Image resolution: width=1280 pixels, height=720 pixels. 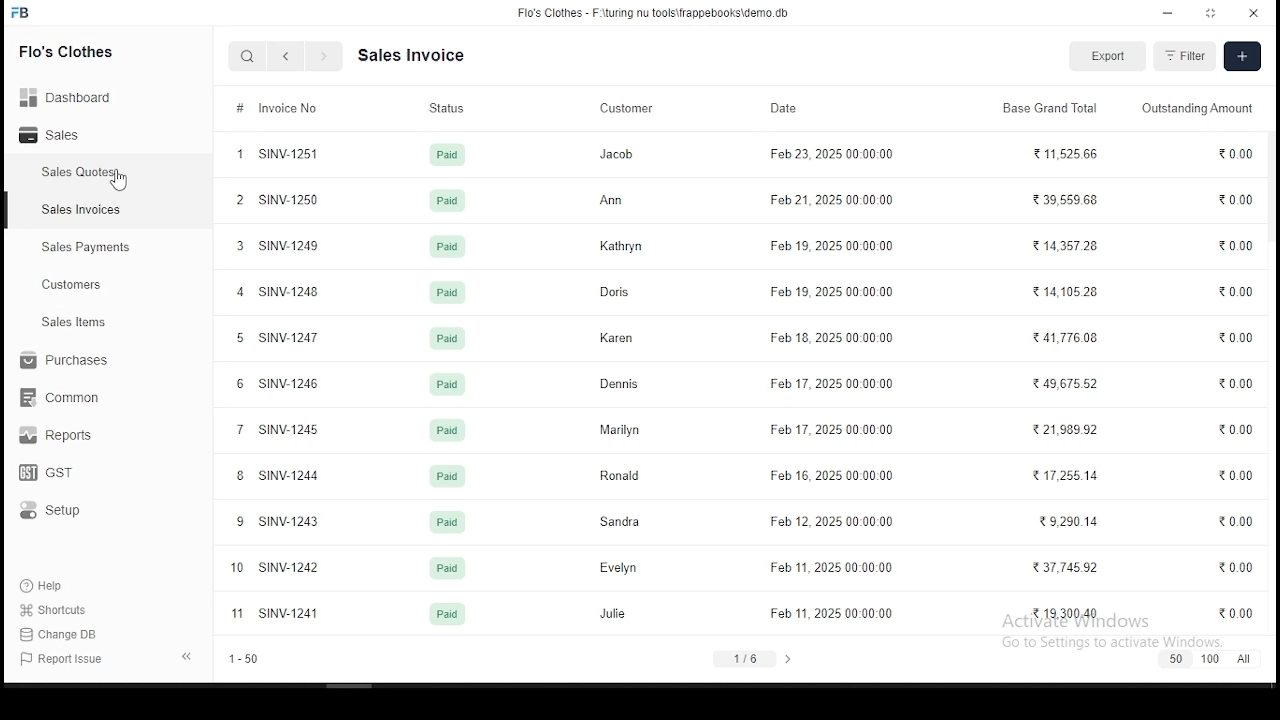 What do you see at coordinates (67, 397) in the screenshot?
I see `common` at bounding box center [67, 397].